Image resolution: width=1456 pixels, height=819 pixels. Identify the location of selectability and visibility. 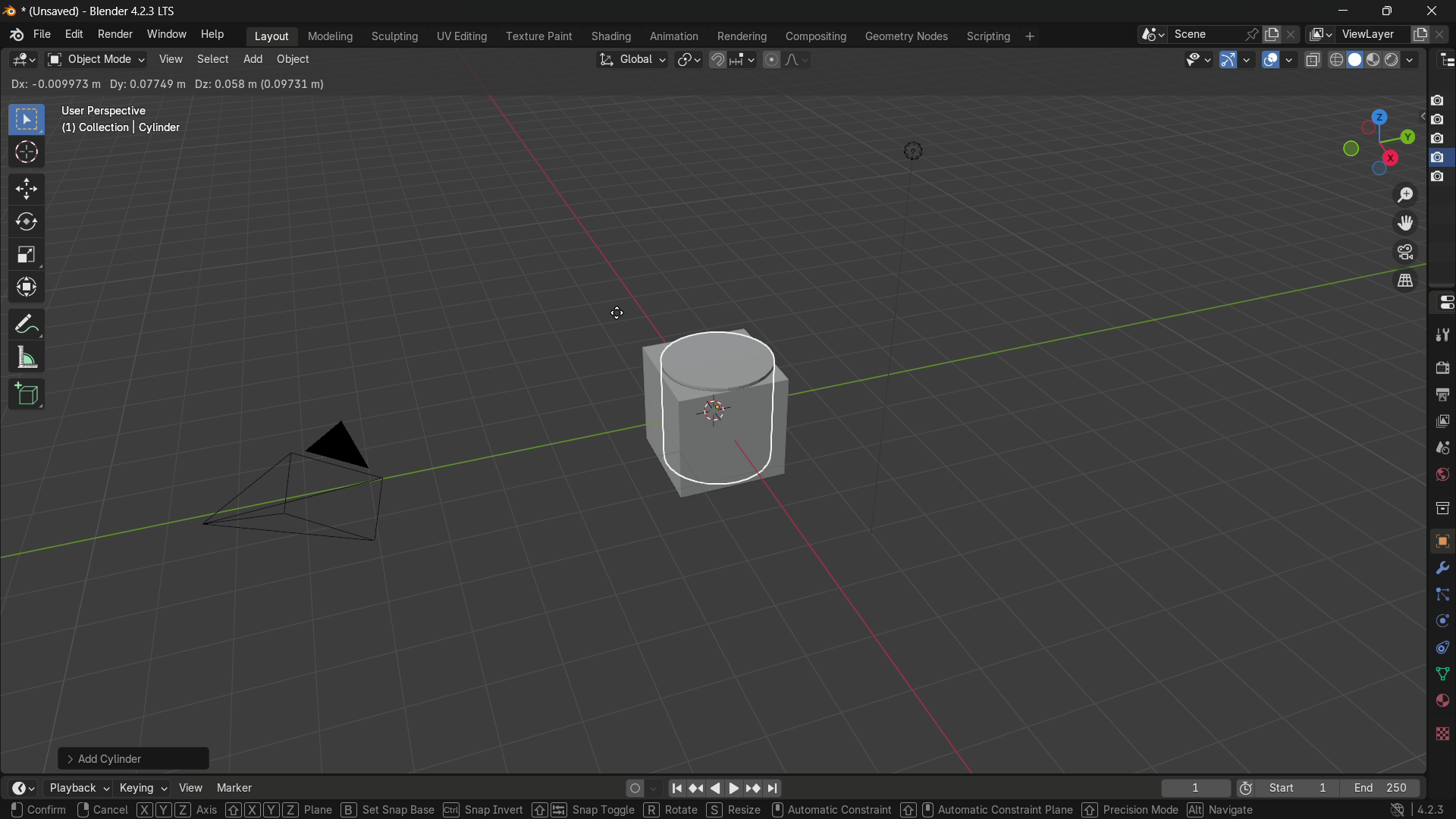
(1197, 59).